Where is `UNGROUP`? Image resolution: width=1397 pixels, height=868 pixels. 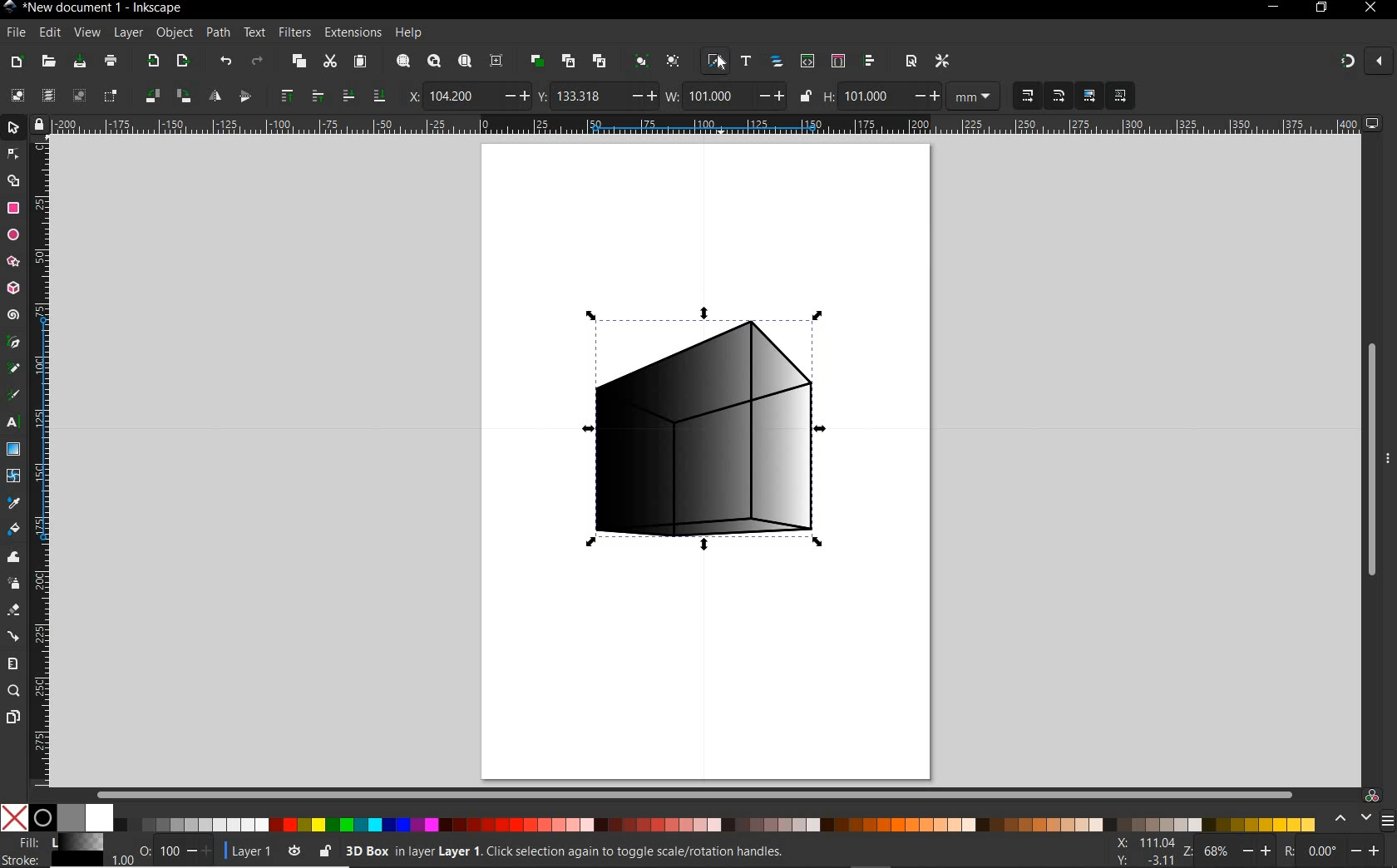
UNGROUP is located at coordinates (674, 61).